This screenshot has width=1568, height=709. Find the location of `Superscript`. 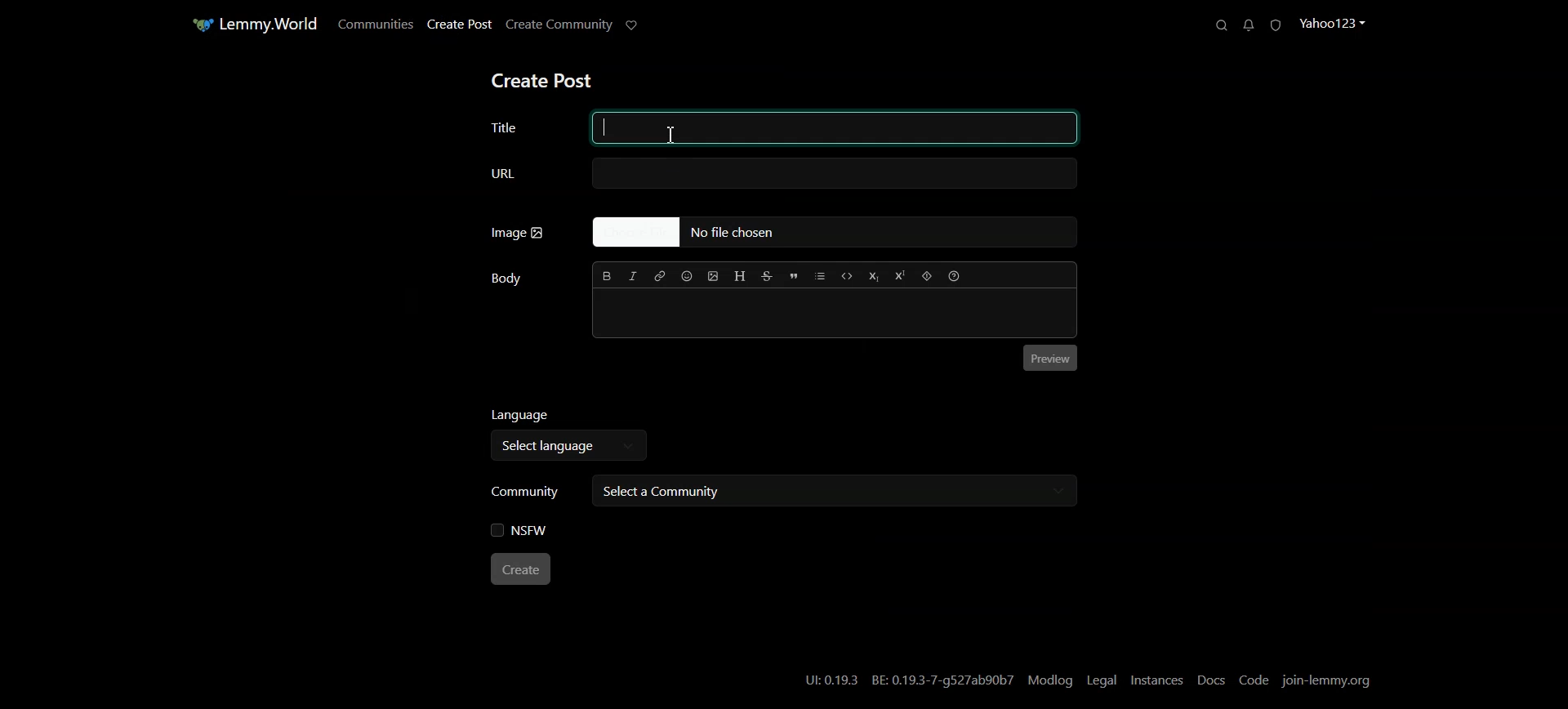

Superscript is located at coordinates (900, 275).